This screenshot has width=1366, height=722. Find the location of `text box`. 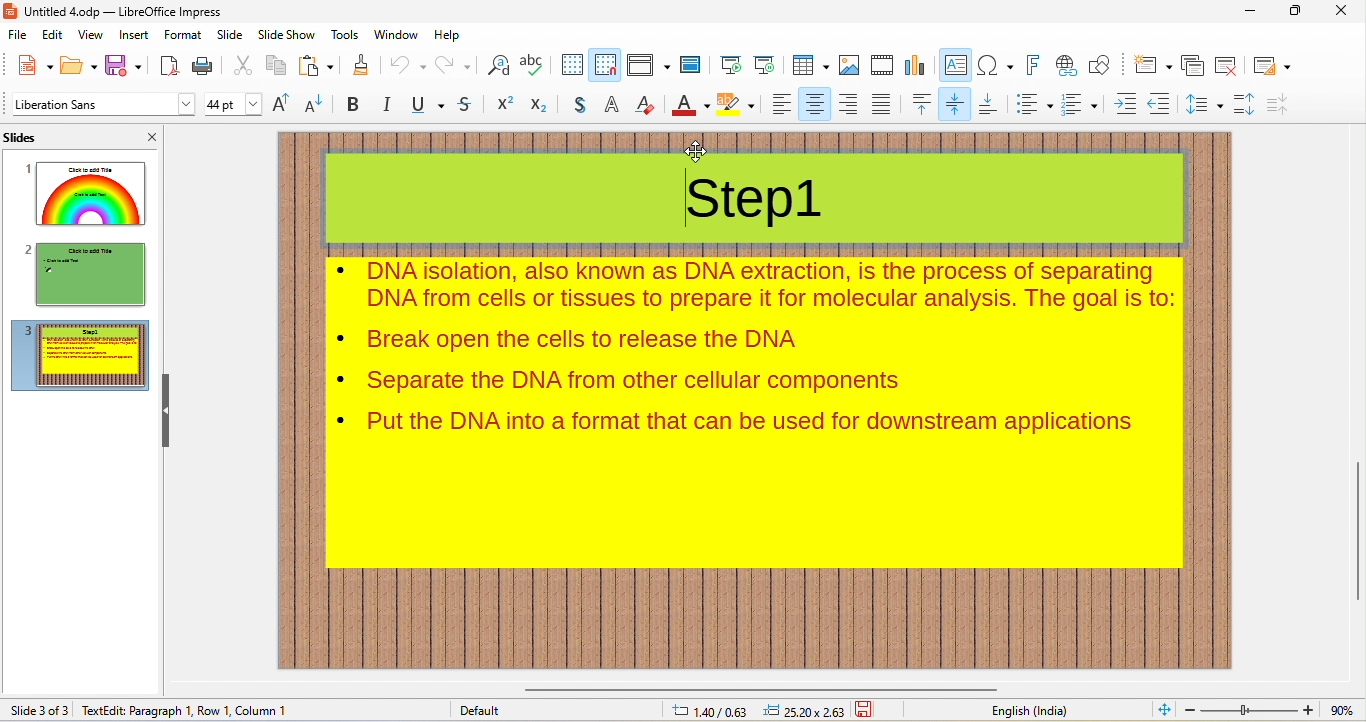

text box is located at coordinates (955, 67).